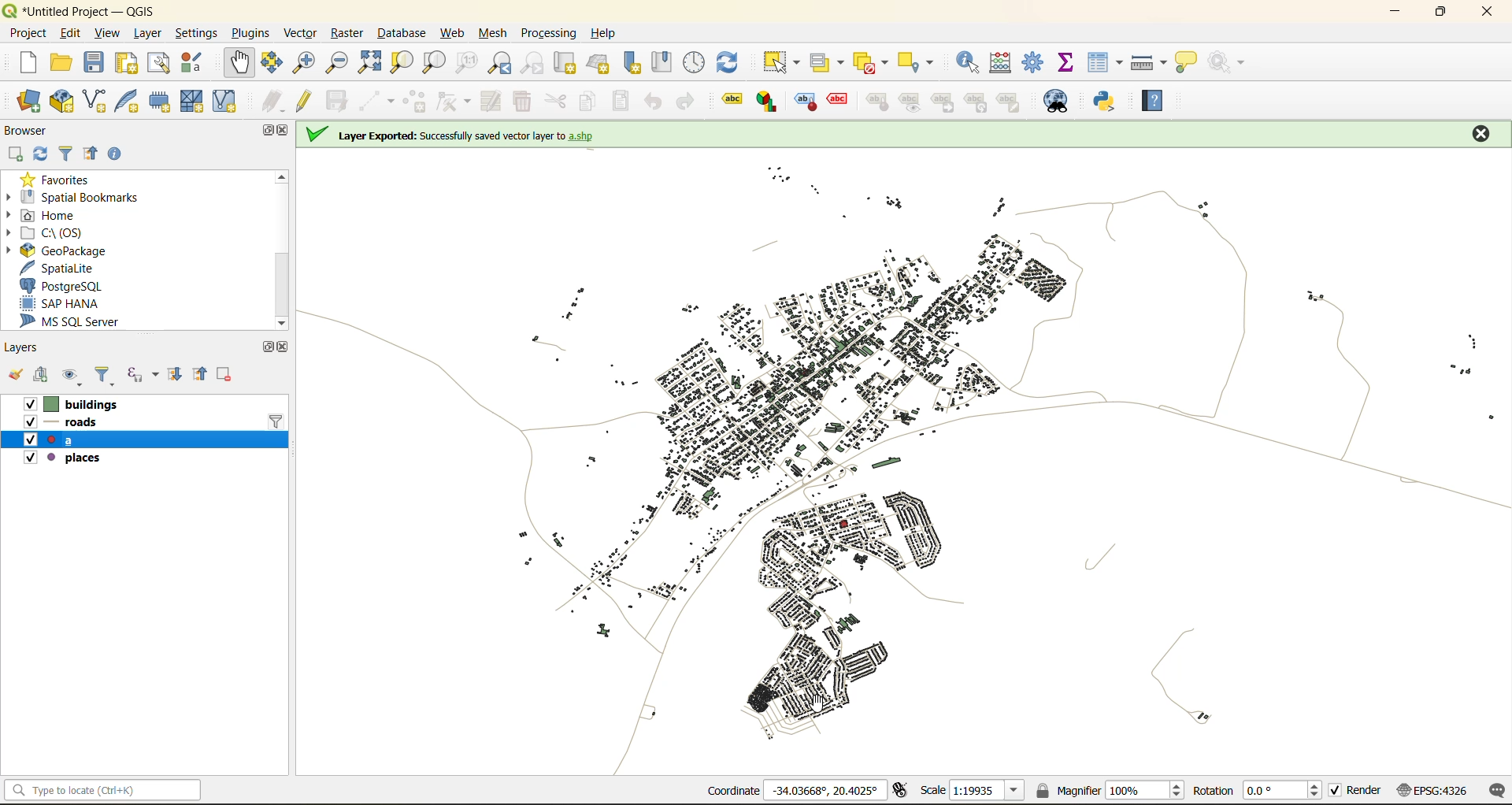 The image size is (1512, 805). What do you see at coordinates (24, 101) in the screenshot?
I see `open datasource manager` at bounding box center [24, 101].